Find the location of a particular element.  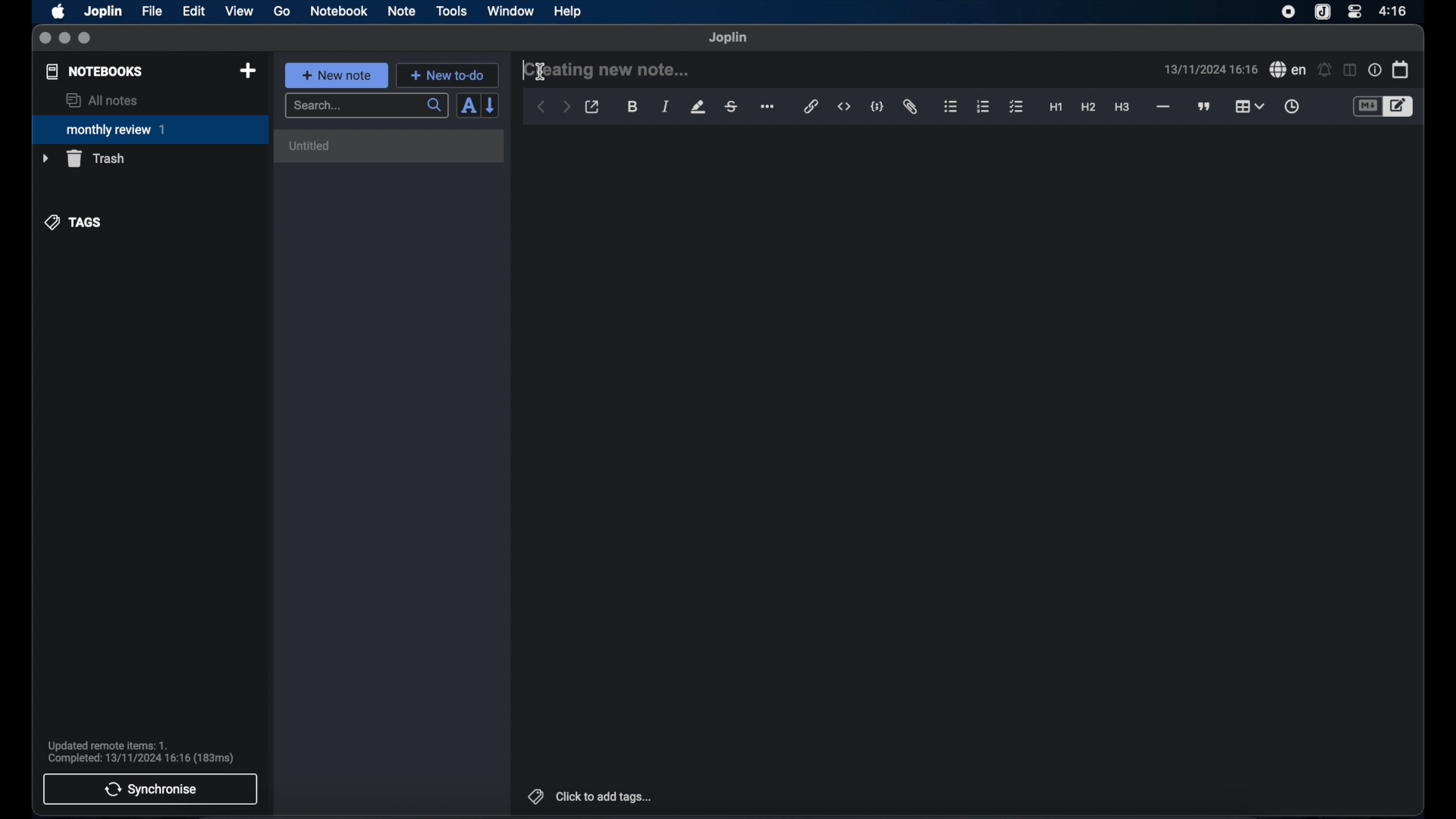

check  list is located at coordinates (1016, 108).